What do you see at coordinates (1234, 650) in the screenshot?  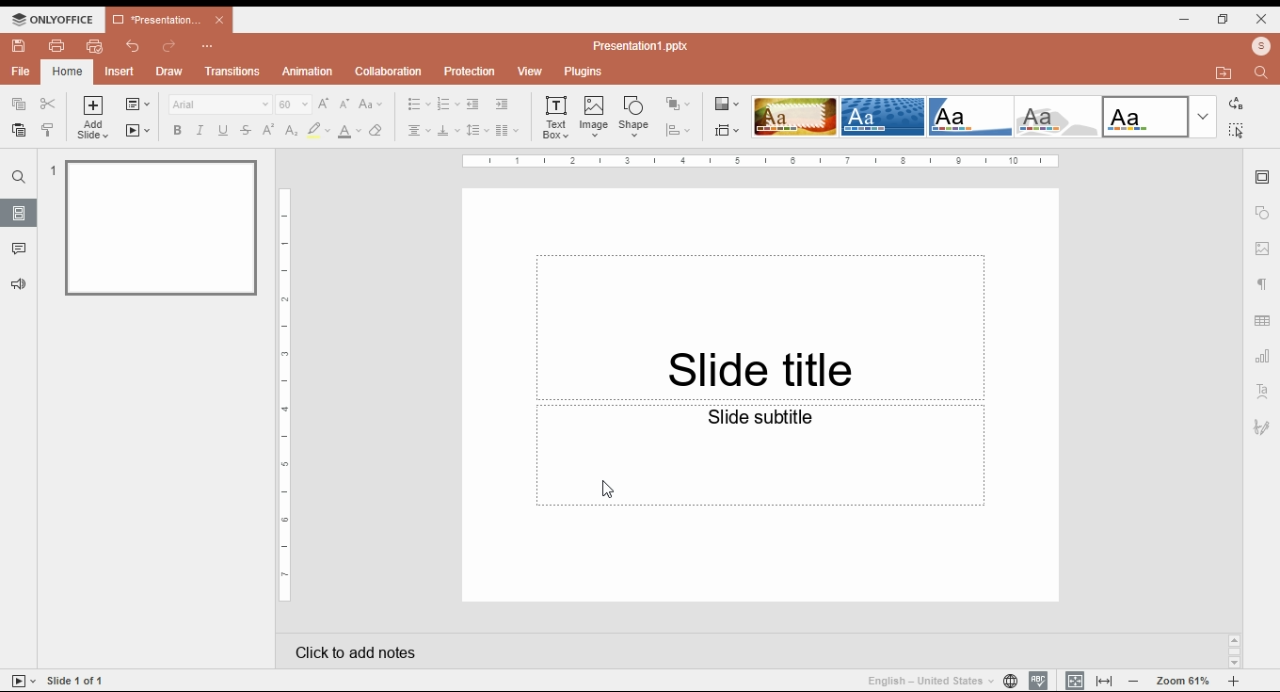 I see `Scroll bar` at bounding box center [1234, 650].